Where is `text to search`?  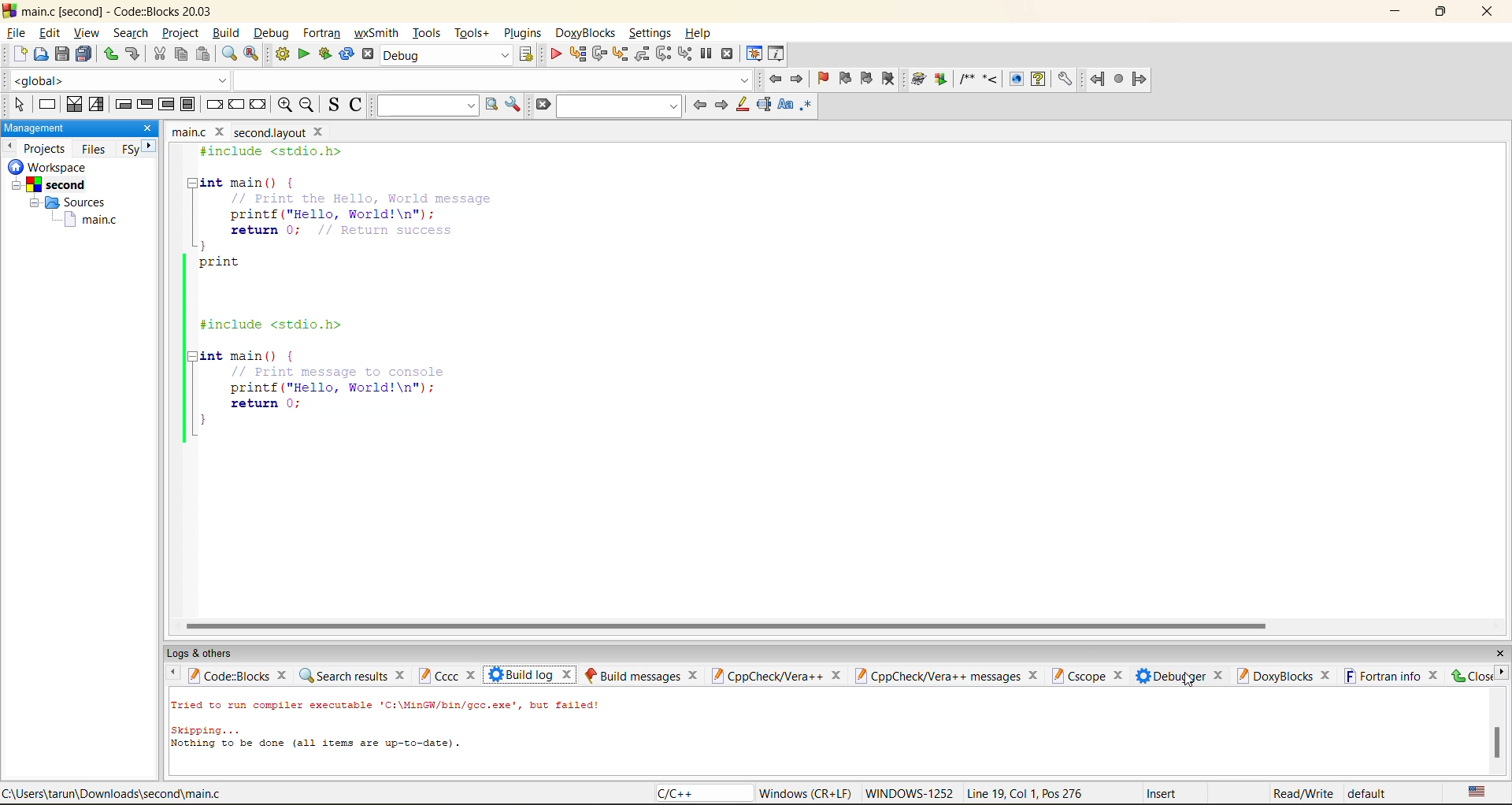 text to search is located at coordinates (428, 104).